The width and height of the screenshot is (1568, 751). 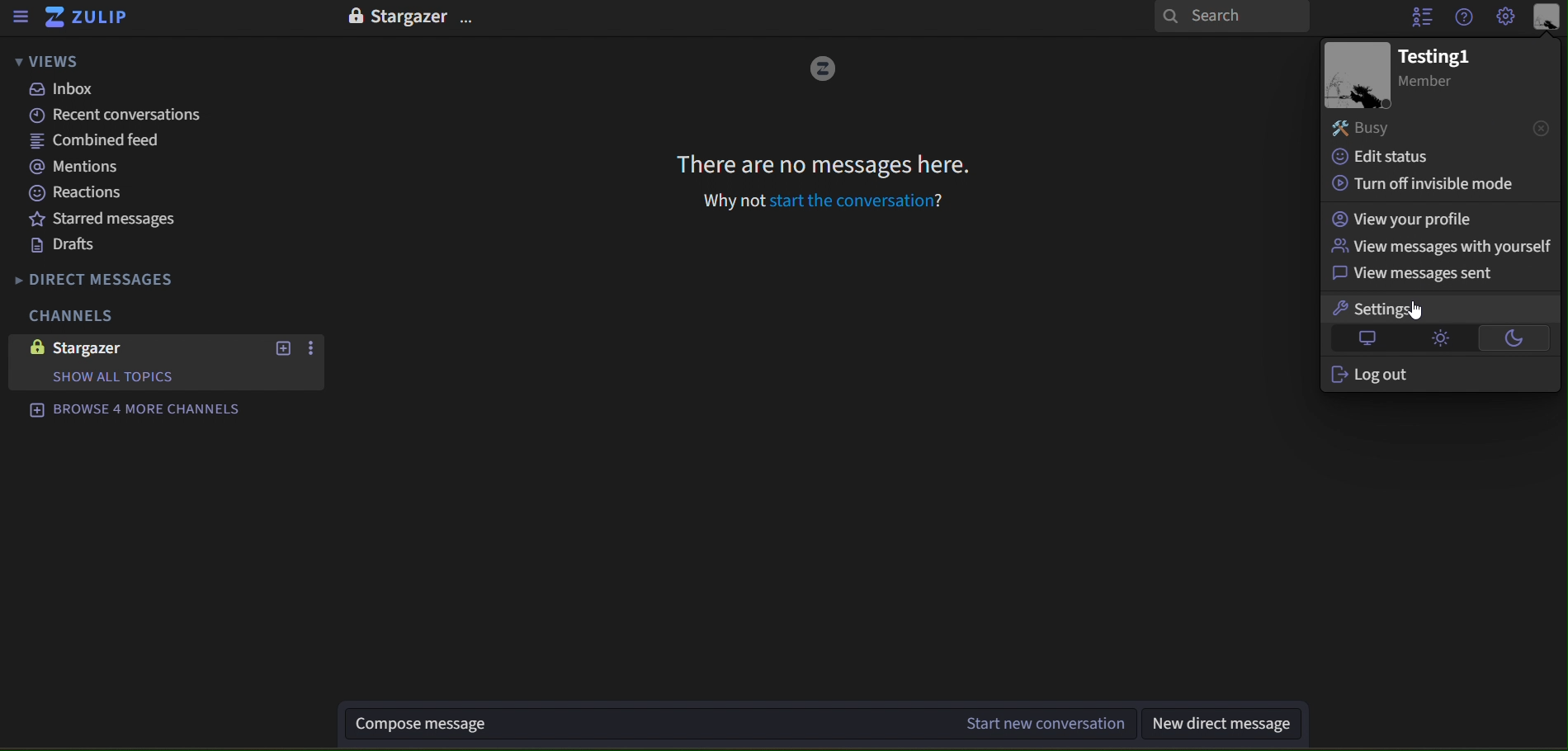 What do you see at coordinates (44, 63) in the screenshot?
I see `views` at bounding box center [44, 63].